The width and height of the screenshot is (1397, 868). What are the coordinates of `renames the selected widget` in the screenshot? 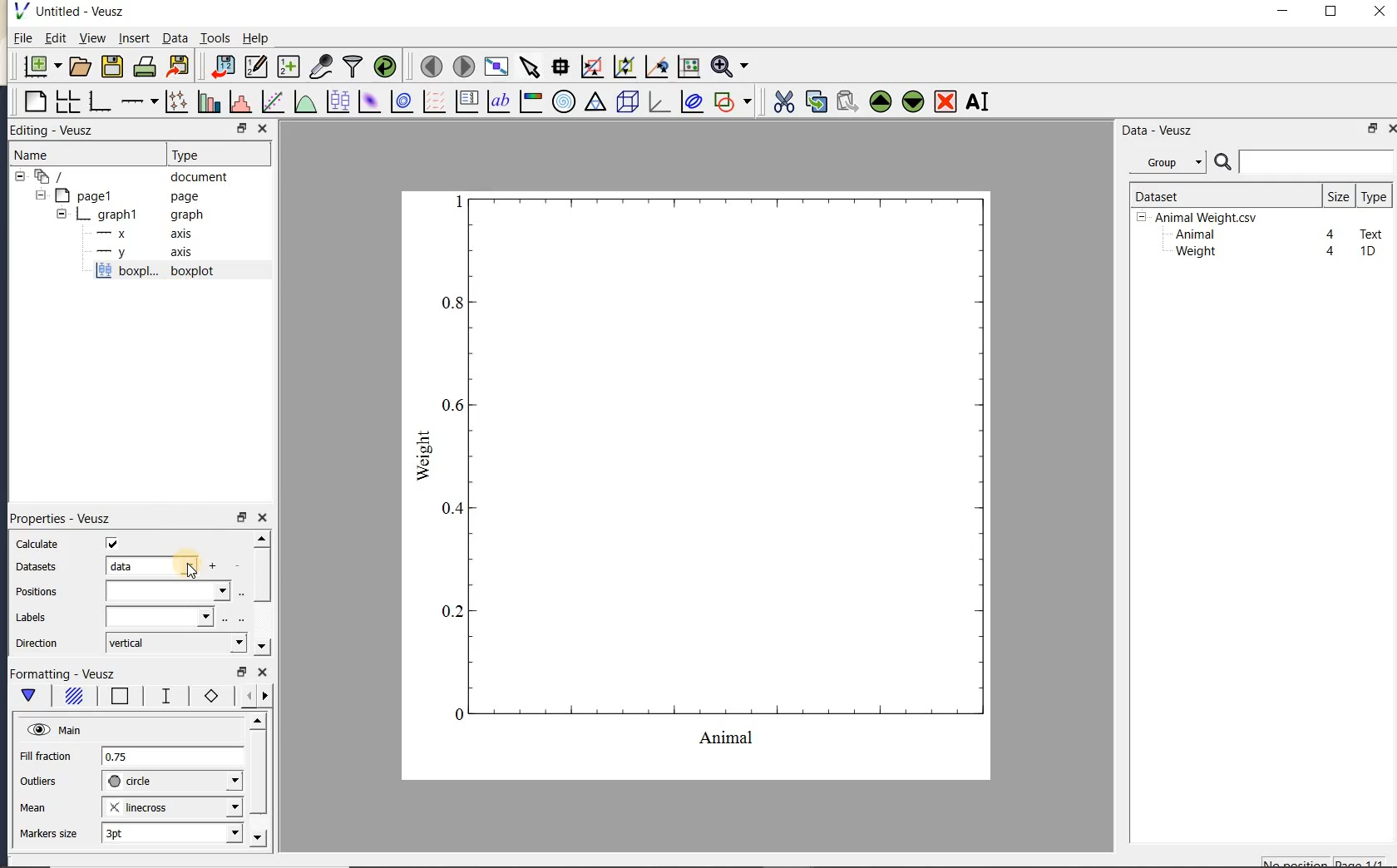 It's located at (976, 101).